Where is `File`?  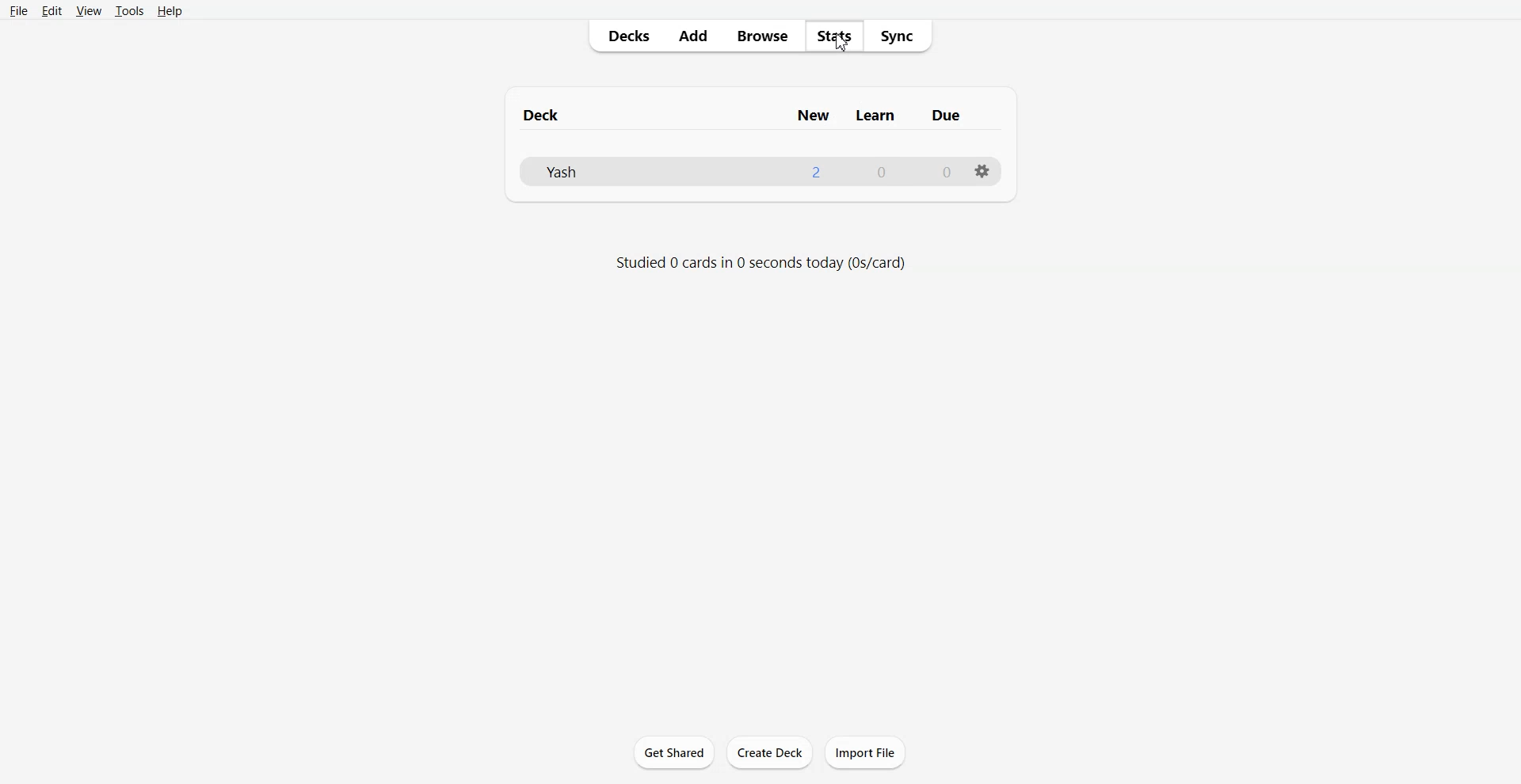 File is located at coordinates (17, 11).